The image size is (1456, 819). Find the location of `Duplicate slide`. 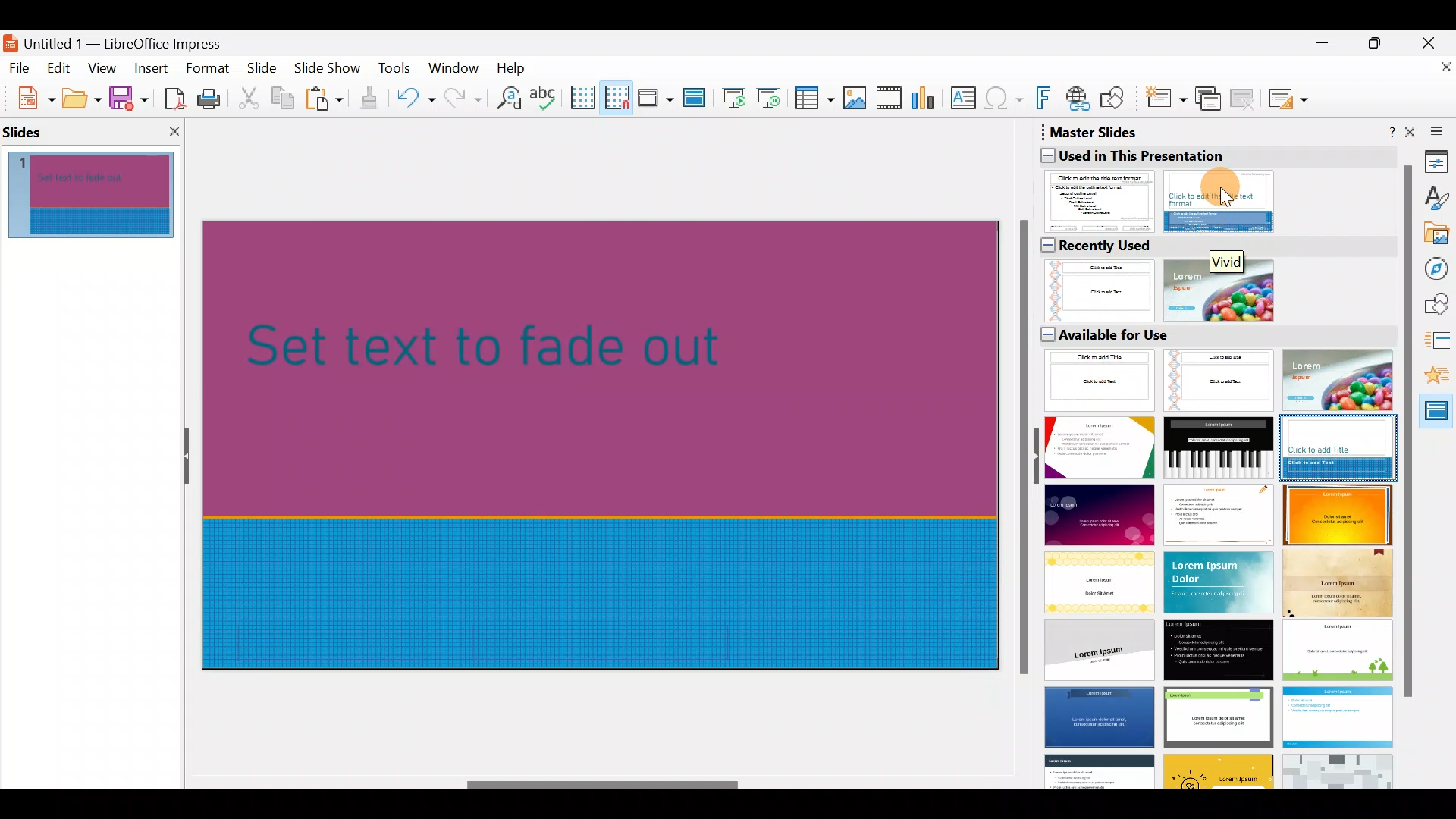

Duplicate slide is located at coordinates (1210, 99).